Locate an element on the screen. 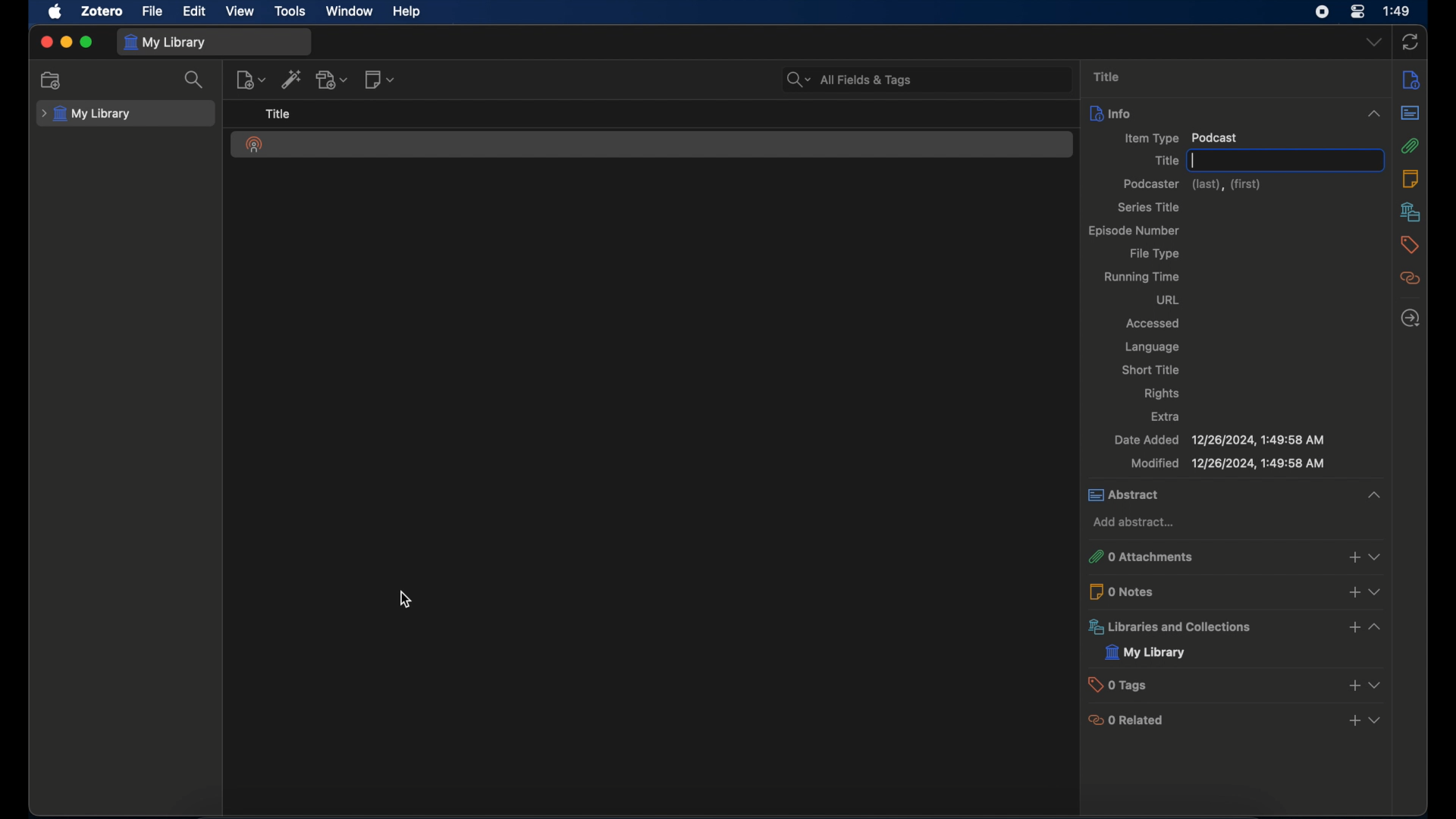 The image size is (1456, 819). my library is located at coordinates (85, 115).